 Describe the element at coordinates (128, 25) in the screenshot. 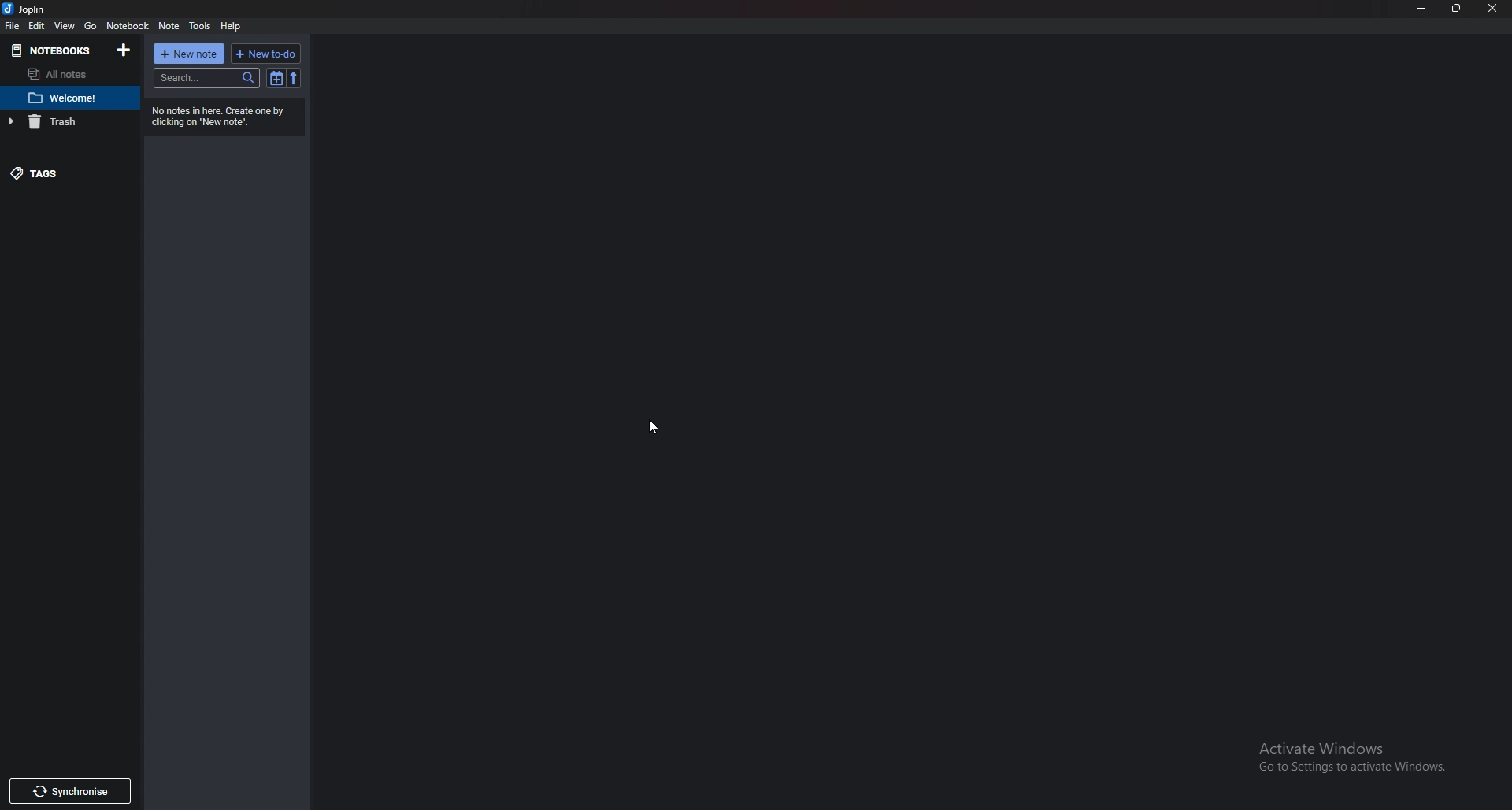

I see `Notebook` at that location.